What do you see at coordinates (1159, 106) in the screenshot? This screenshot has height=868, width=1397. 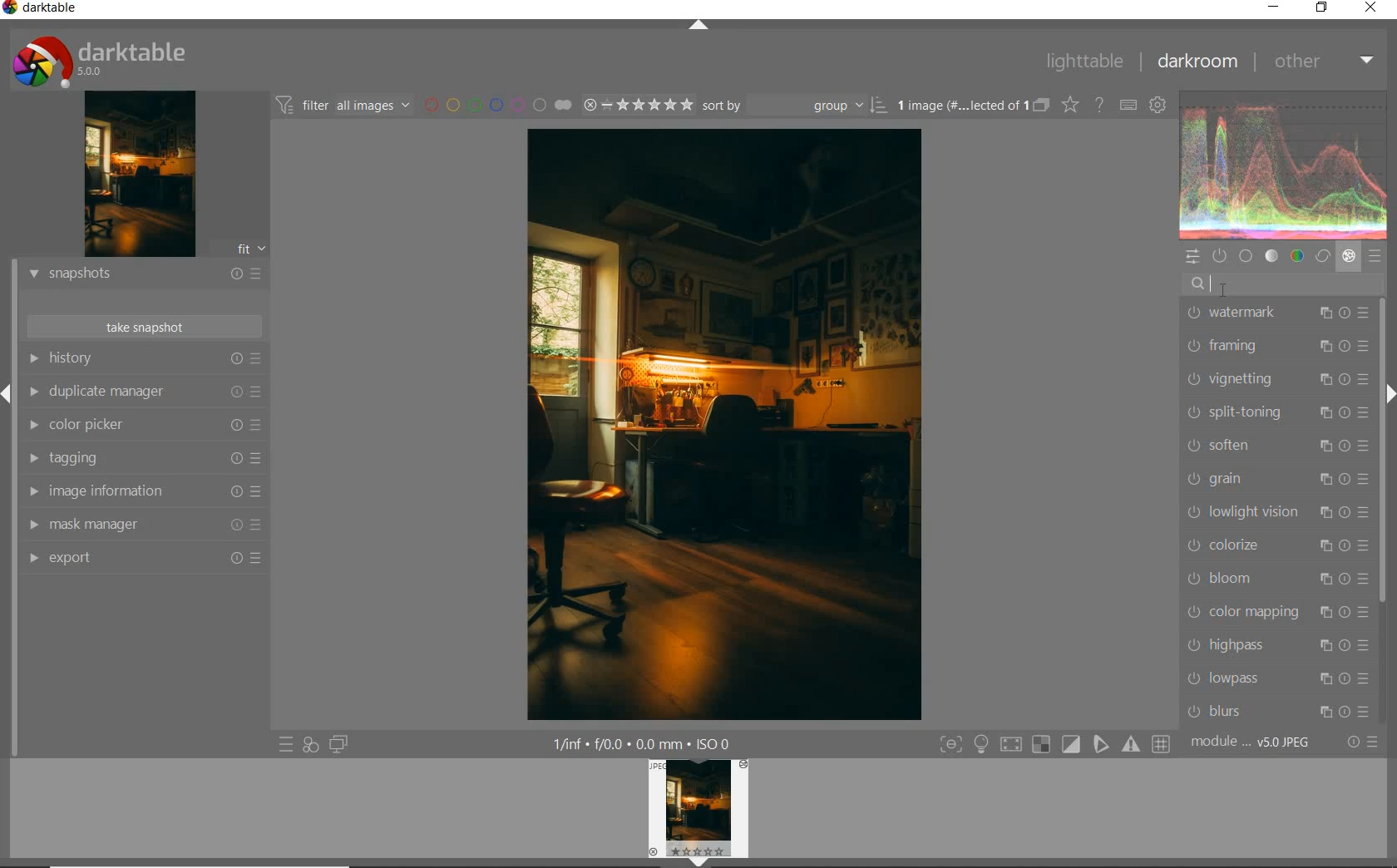 I see `show global preferences` at bounding box center [1159, 106].